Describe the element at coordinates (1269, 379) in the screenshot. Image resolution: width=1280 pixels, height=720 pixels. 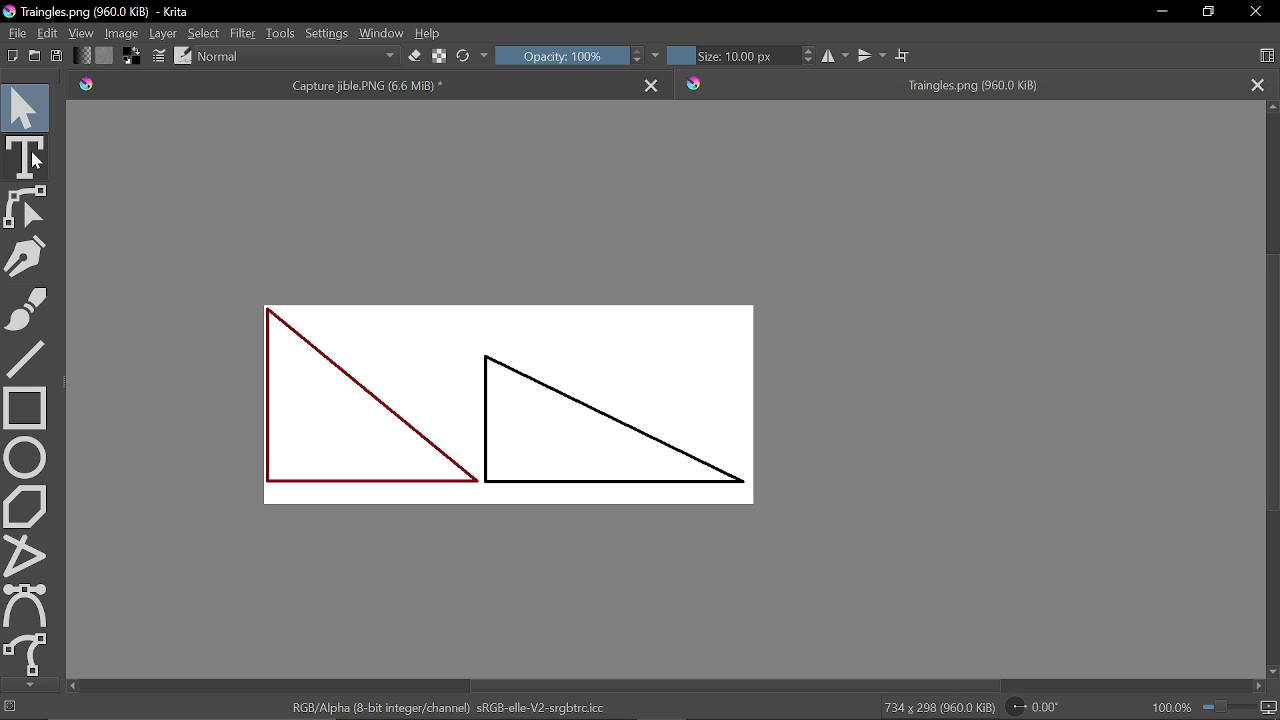
I see `vertical scrollbar` at that location.